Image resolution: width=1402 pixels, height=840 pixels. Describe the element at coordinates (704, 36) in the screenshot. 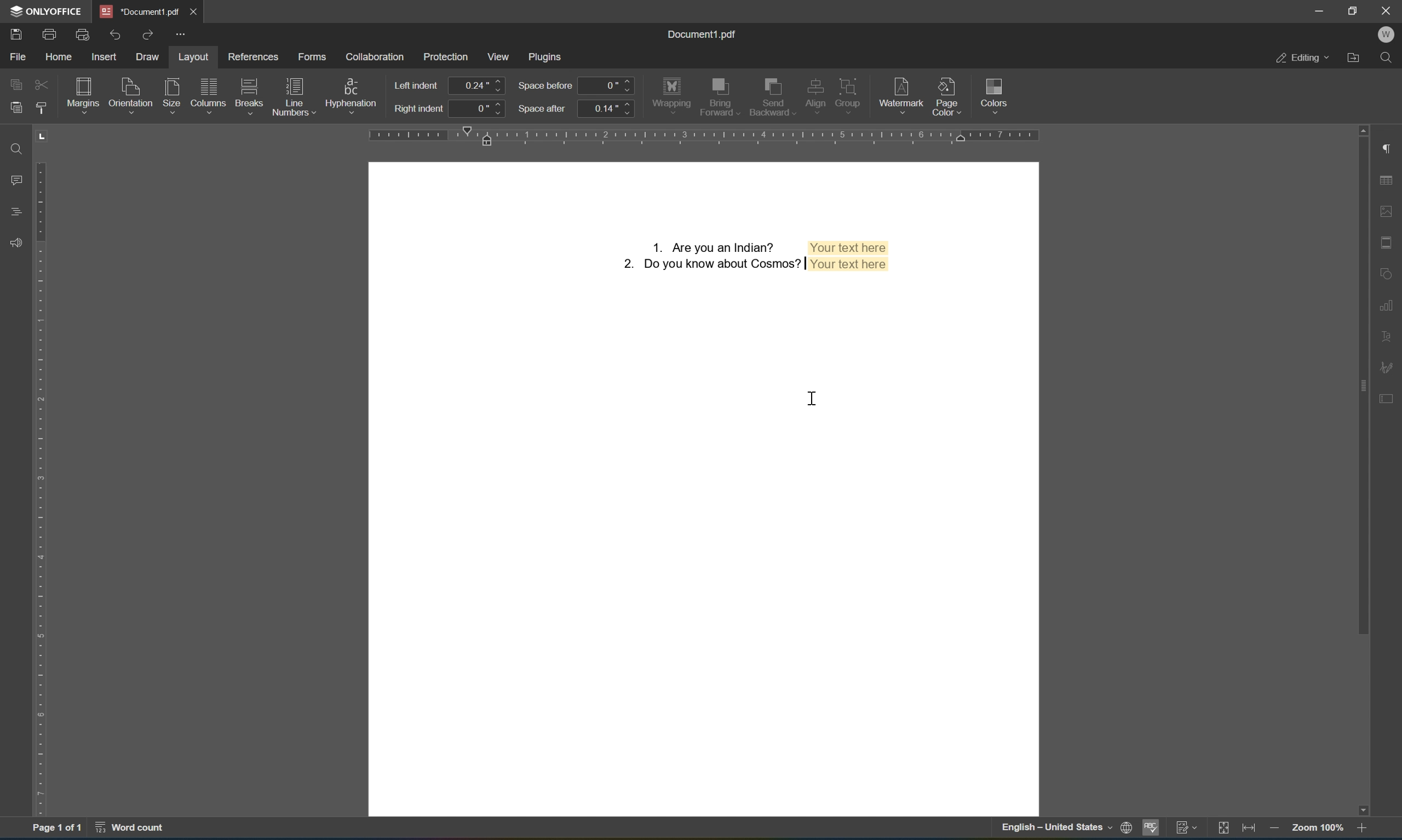

I see `document1.pdf` at that location.